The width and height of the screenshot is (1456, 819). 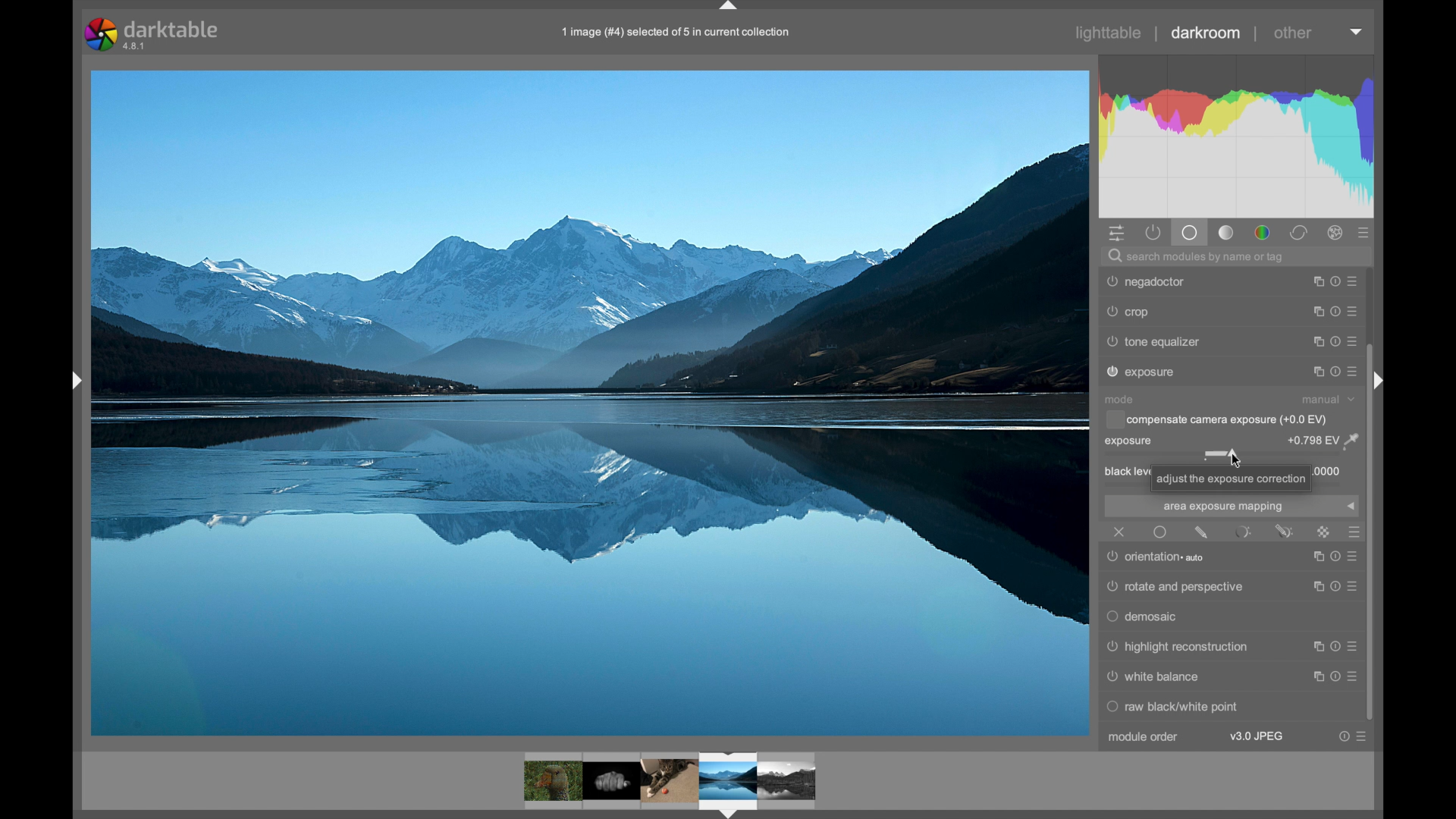 What do you see at coordinates (1327, 399) in the screenshot?
I see `manual dropdown` at bounding box center [1327, 399].